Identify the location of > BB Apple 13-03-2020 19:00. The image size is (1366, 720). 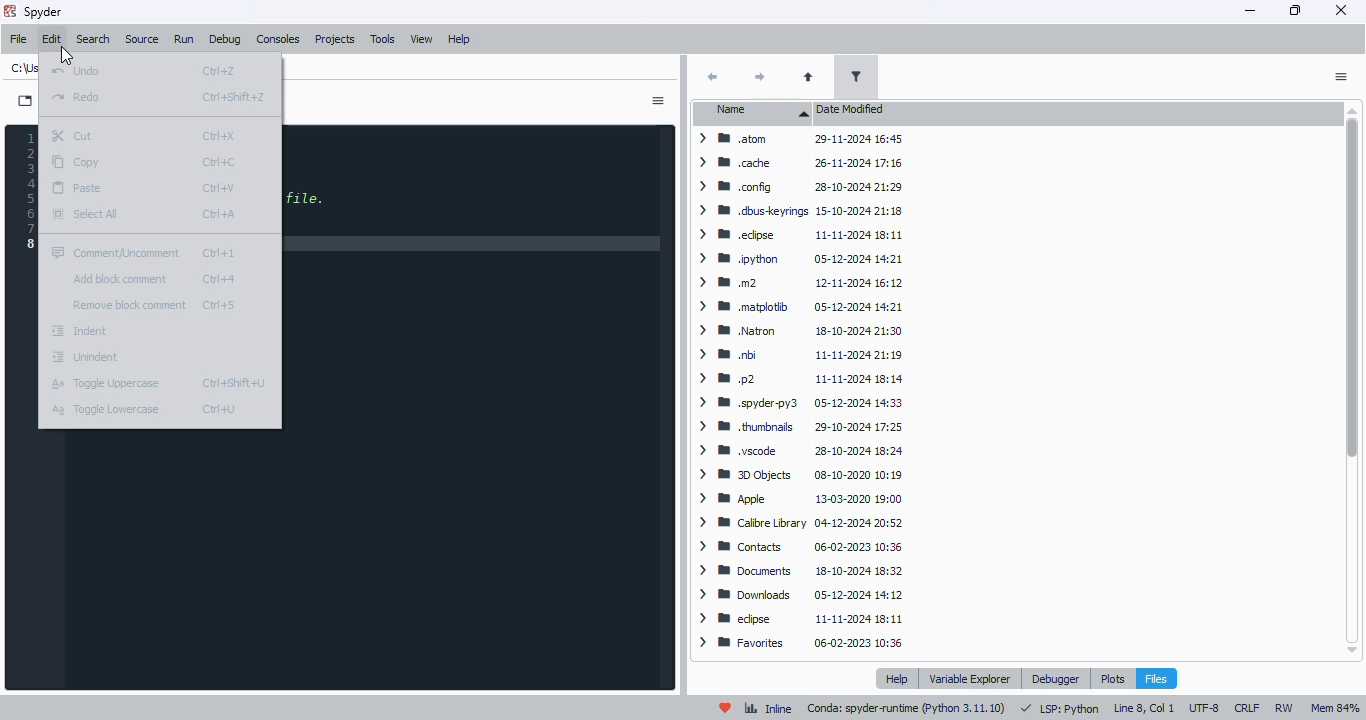
(800, 500).